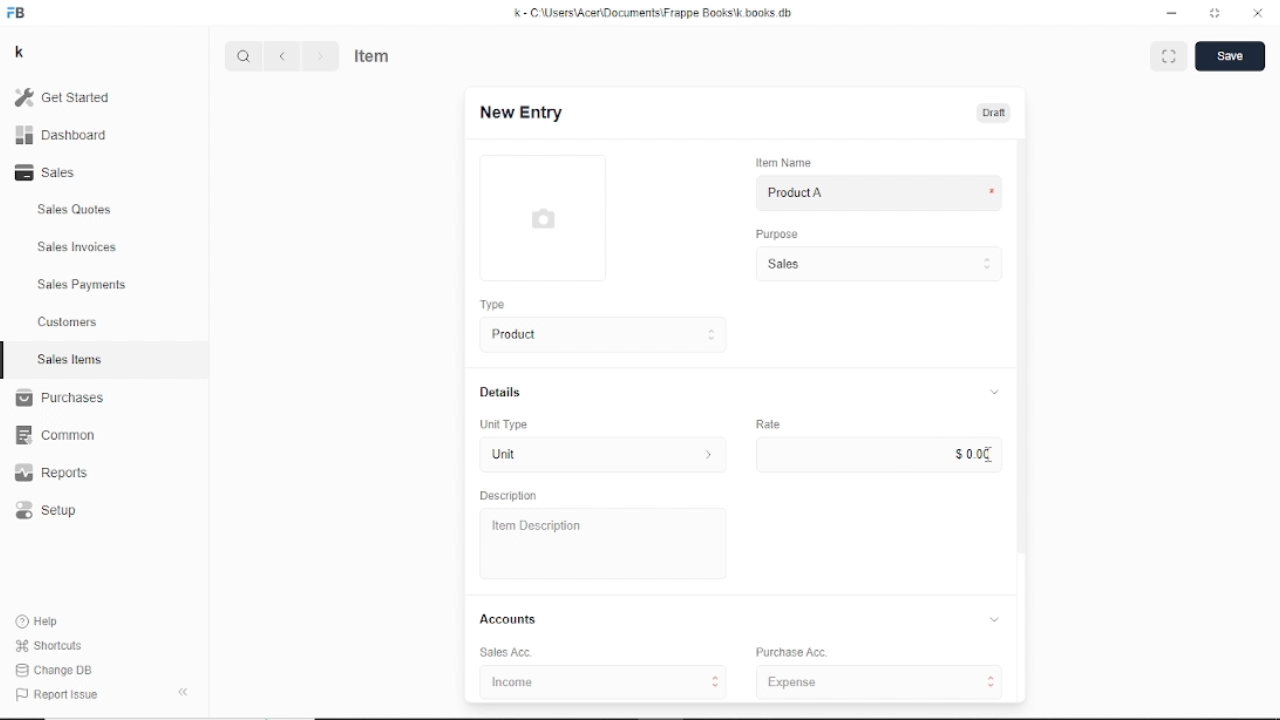  Describe the element at coordinates (1258, 13) in the screenshot. I see `Close` at that location.